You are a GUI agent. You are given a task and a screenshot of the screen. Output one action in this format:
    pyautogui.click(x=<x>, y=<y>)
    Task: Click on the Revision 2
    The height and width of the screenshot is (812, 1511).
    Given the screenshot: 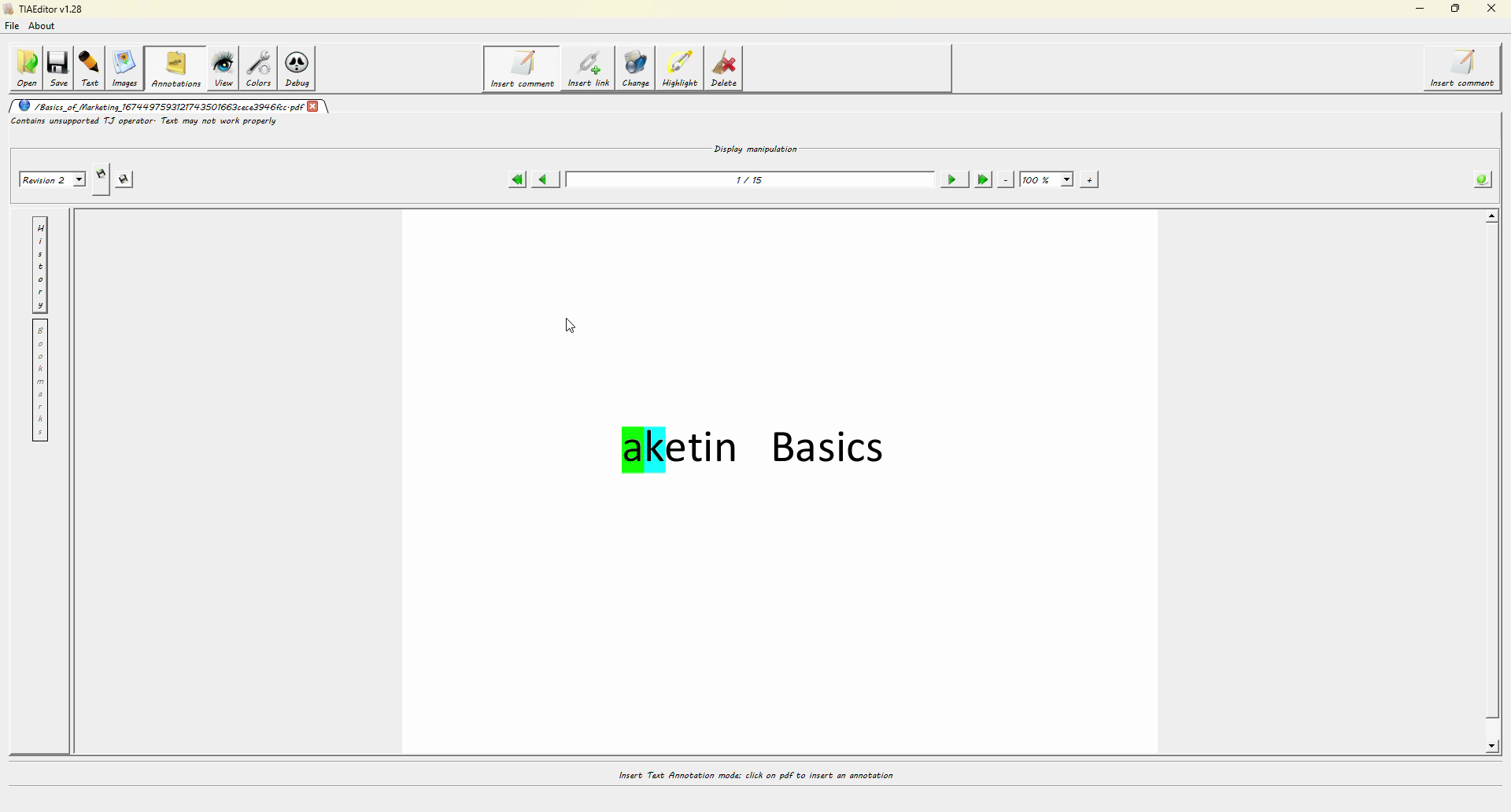 What is the action you would take?
    pyautogui.click(x=50, y=178)
    